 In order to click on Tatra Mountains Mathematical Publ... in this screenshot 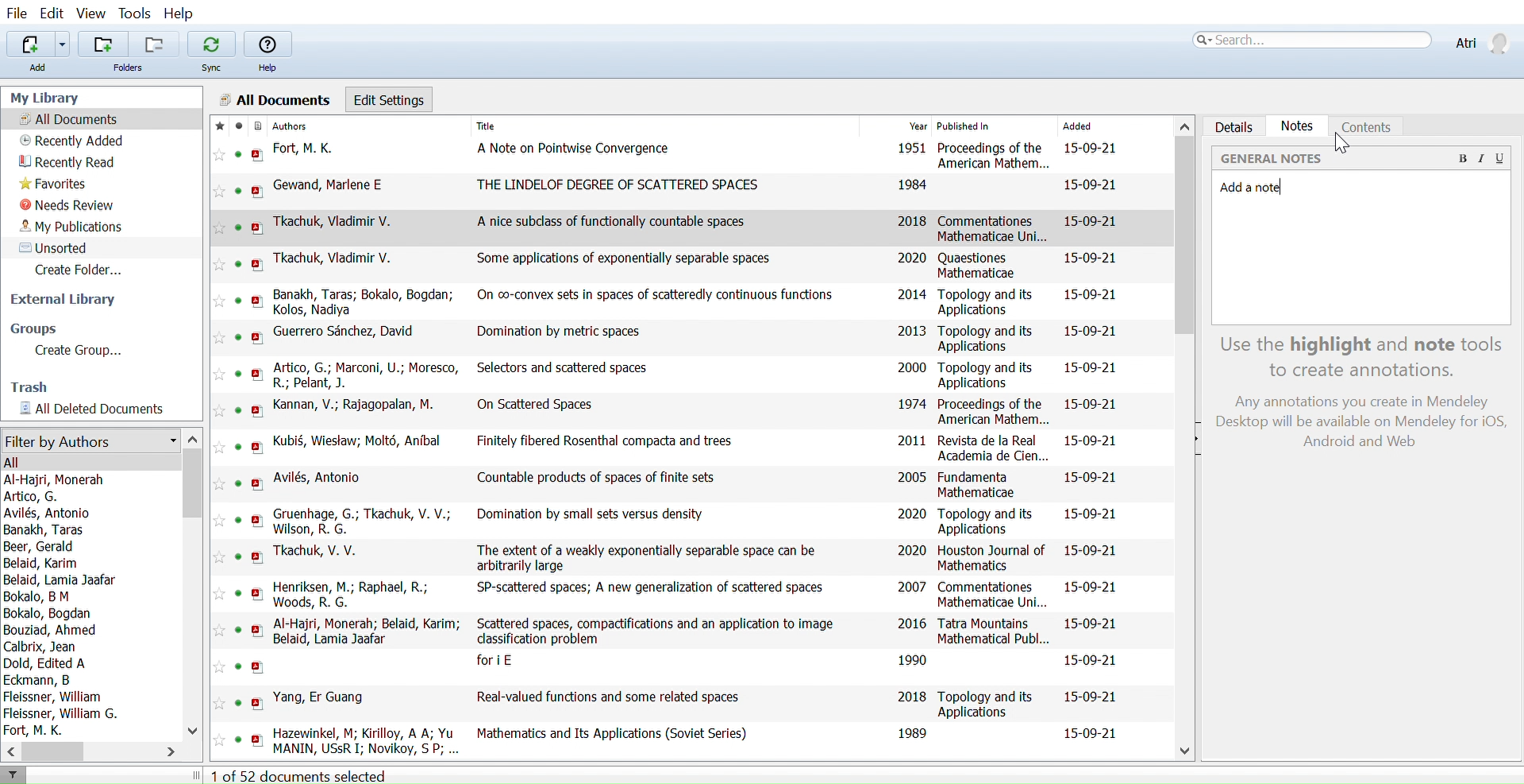, I will do `click(995, 631)`.